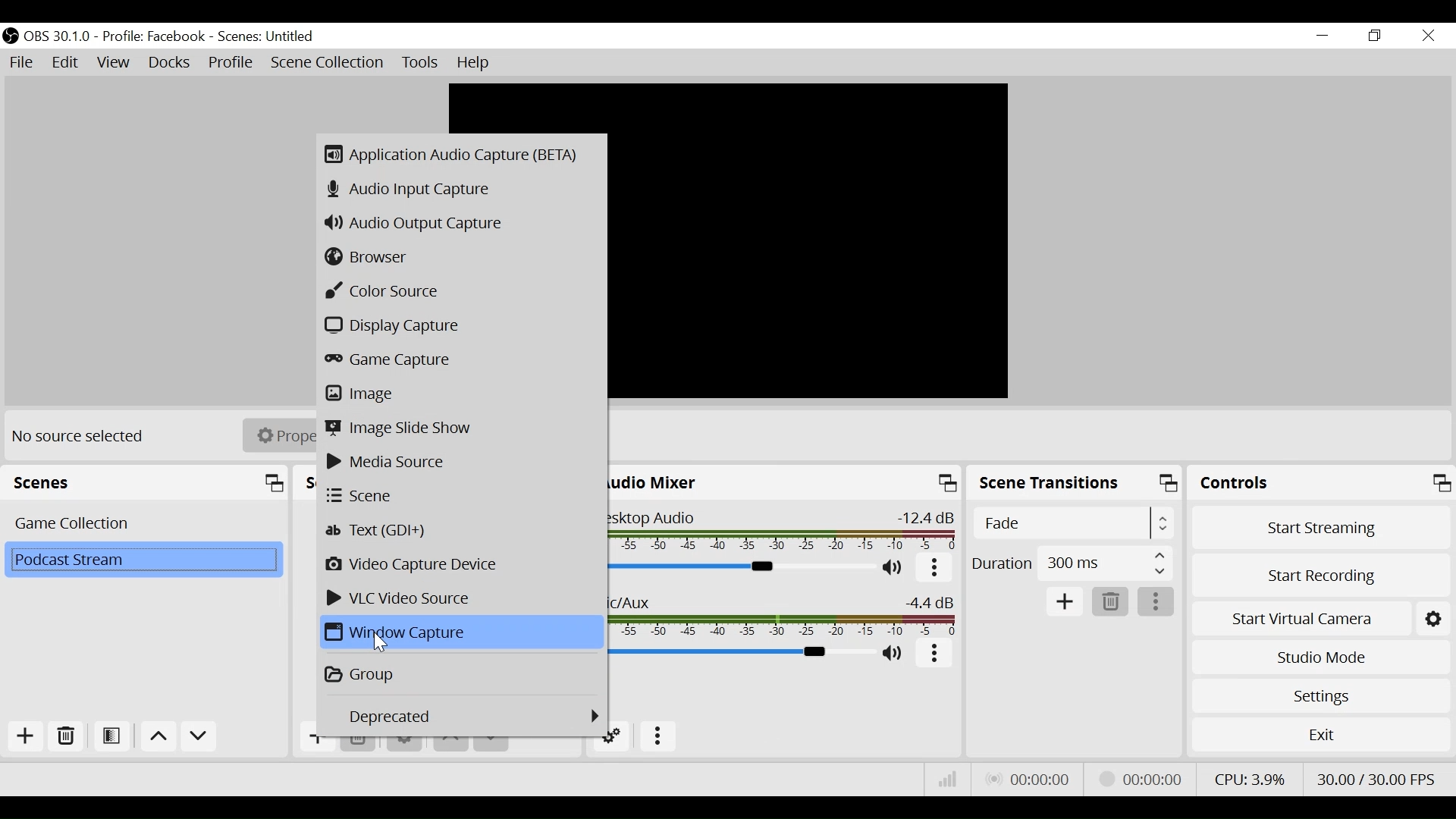 The height and width of the screenshot is (819, 1456). Describe the element at coordinates (404, 744) in the screenshot. I see `Settings` at that location.